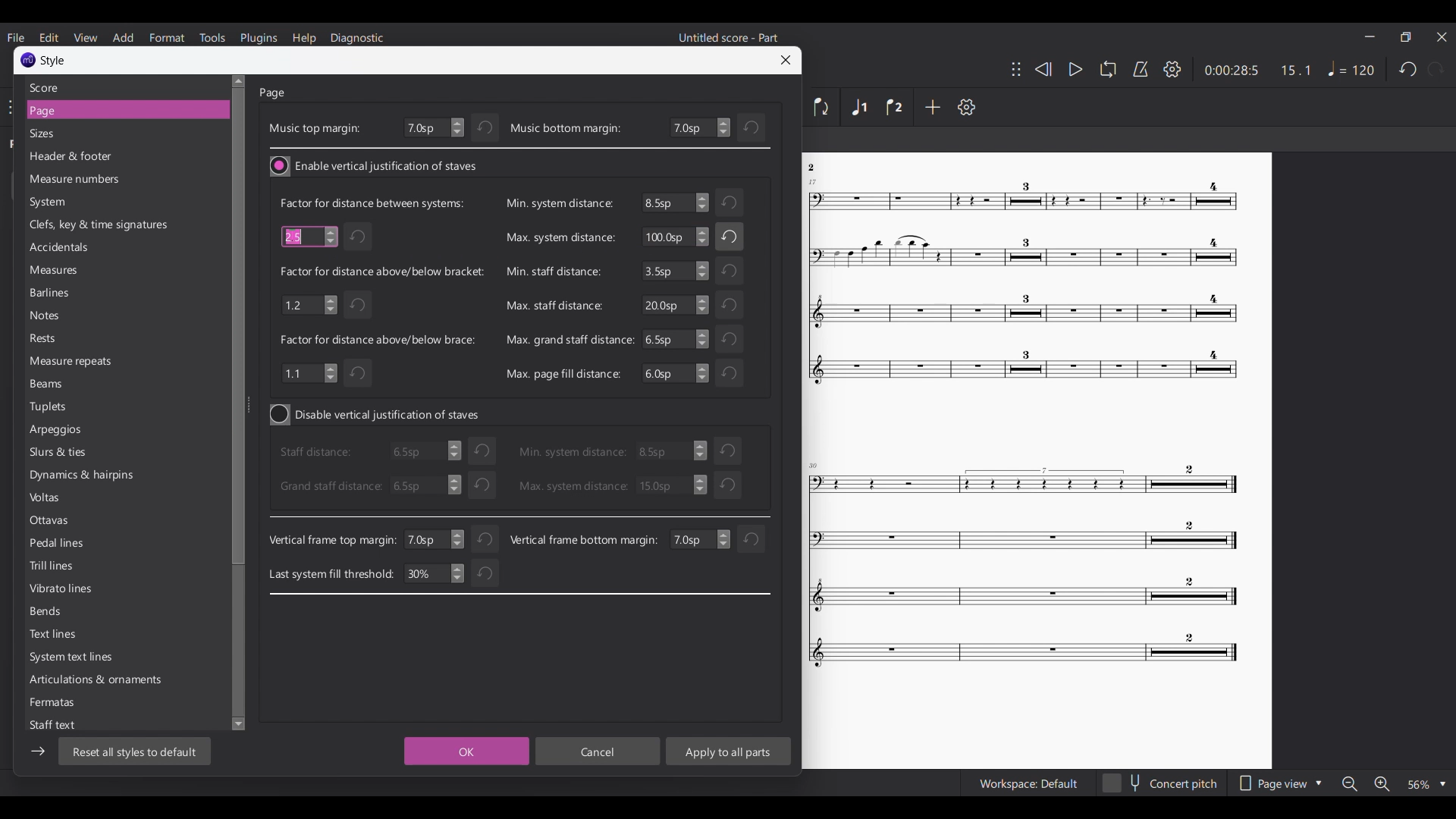 The height and width of the screenshot is (819, 1456). I want to click on 3.5 sp, so click(674, 452).